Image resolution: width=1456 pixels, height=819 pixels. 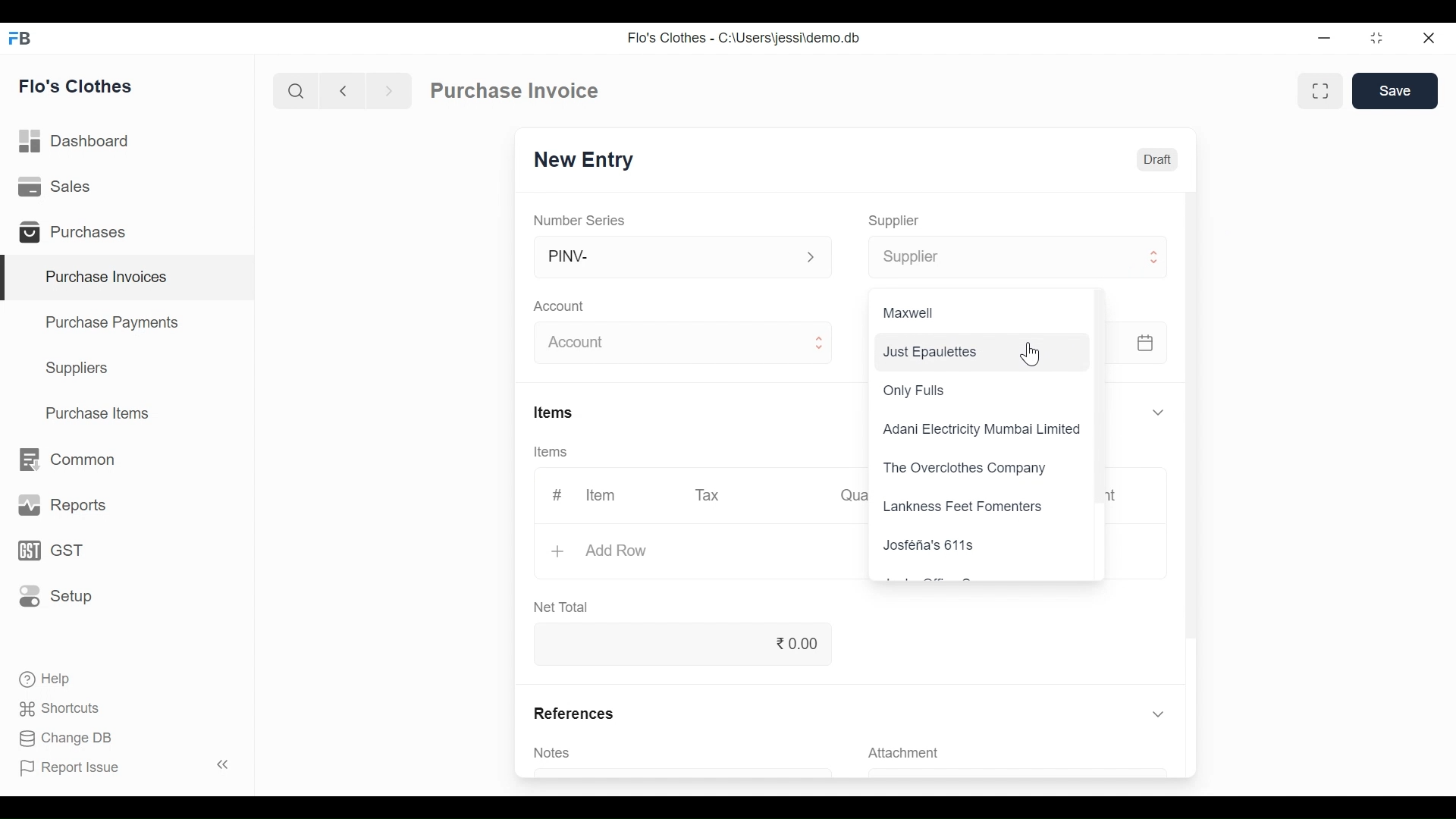 I want to click on Save, so click(x=1395, y=91).